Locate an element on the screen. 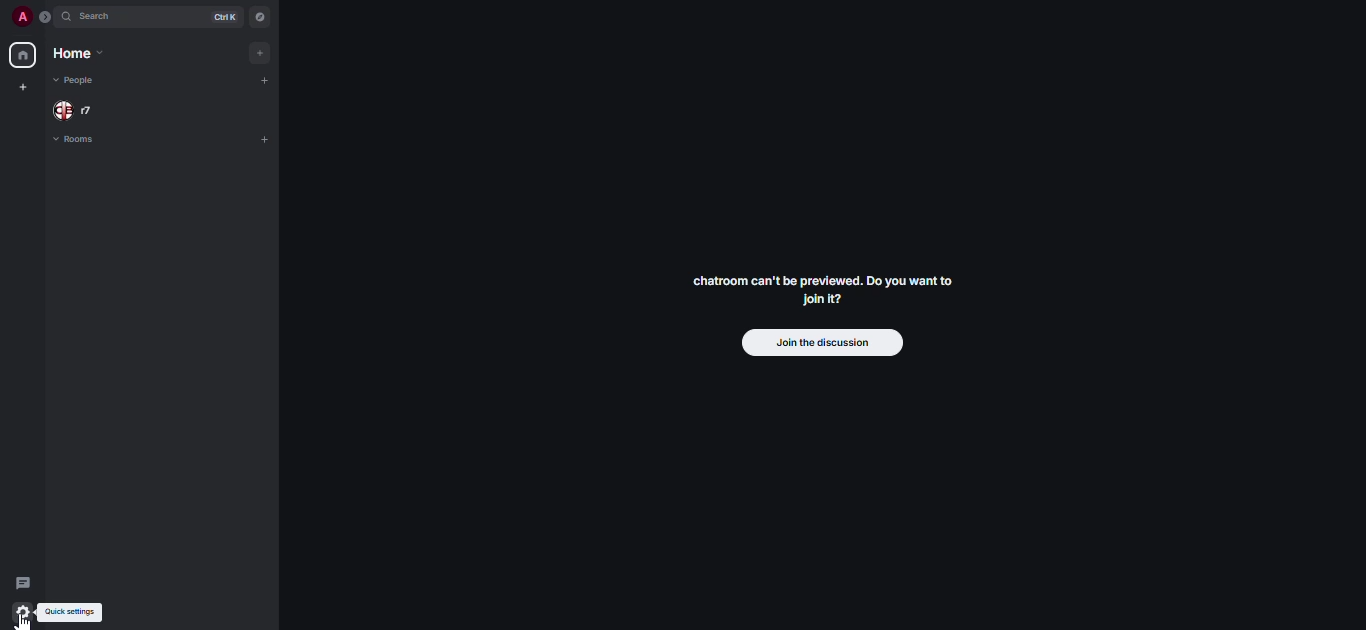 Image resolution: width=1366 pixels, height=630 pixels. create myspace is located at coordinates (21, 86).